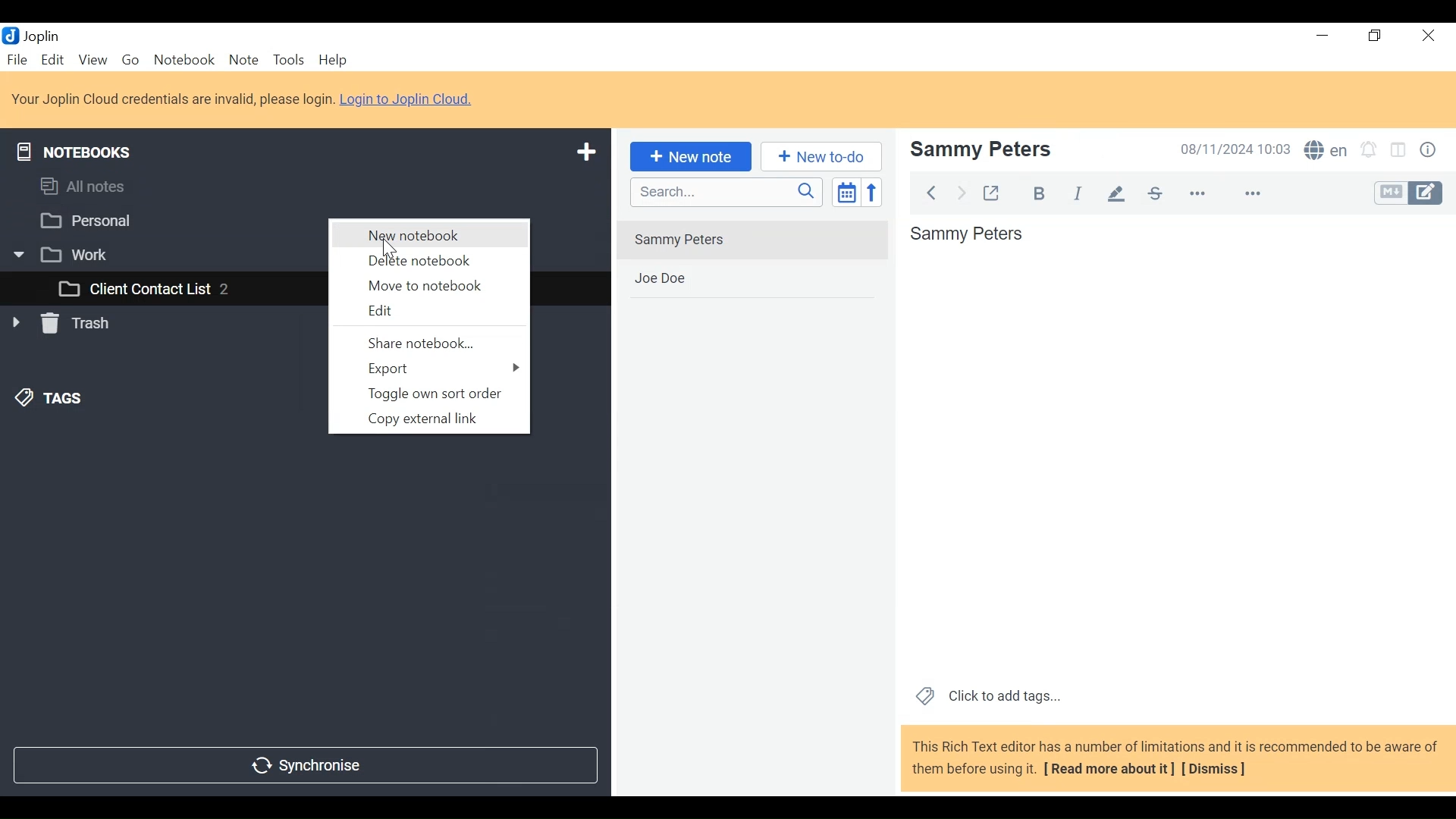 This screenshot has height=819, width=1456. I want to click on Strikethrough, so click(1153, 193).